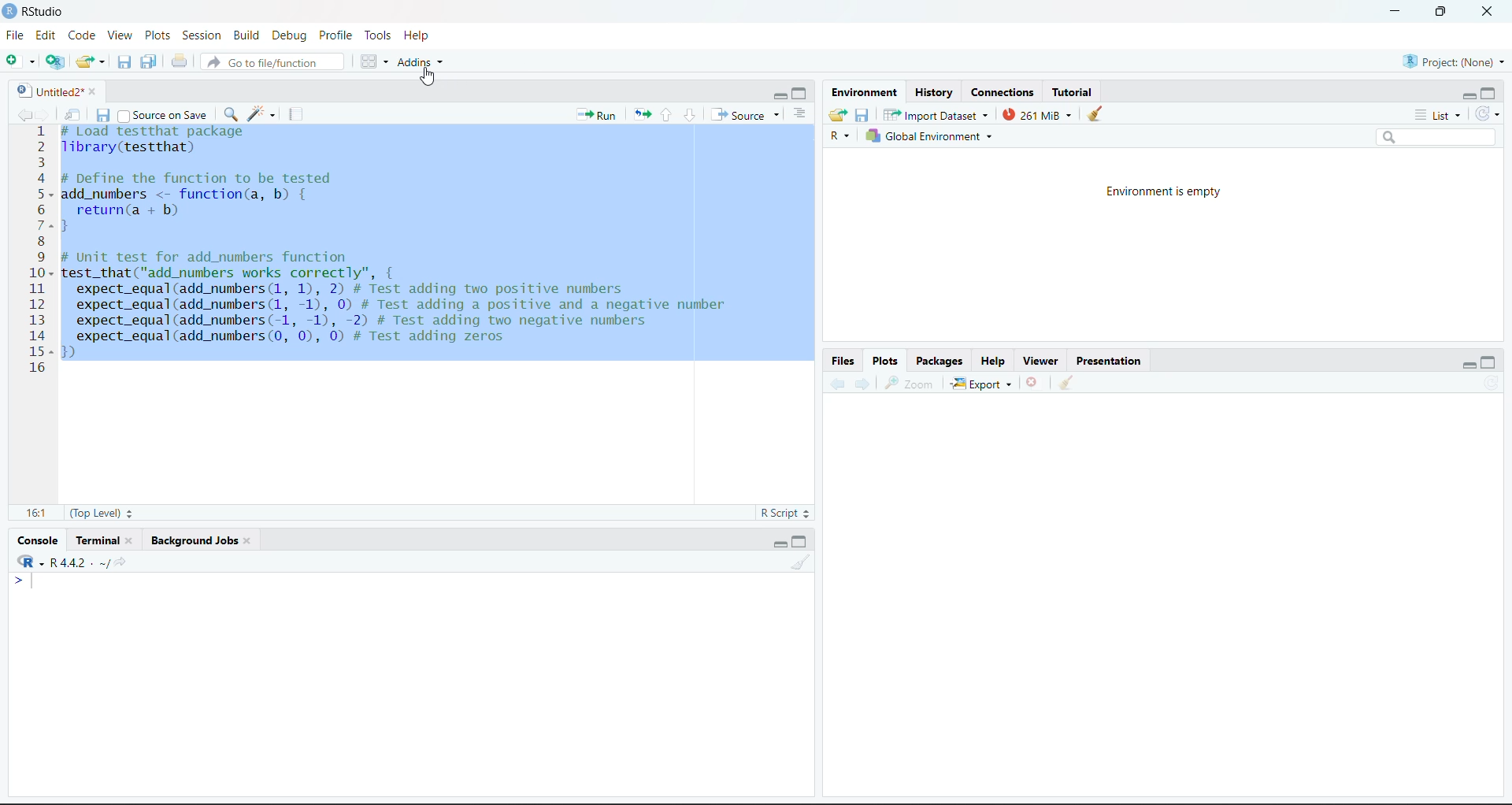 Image resolution: width=1512 pixels, height=805 pixels. Describe the element at coordinates (274, 61) in the screenshot. I see `Go to file/function` at that location.